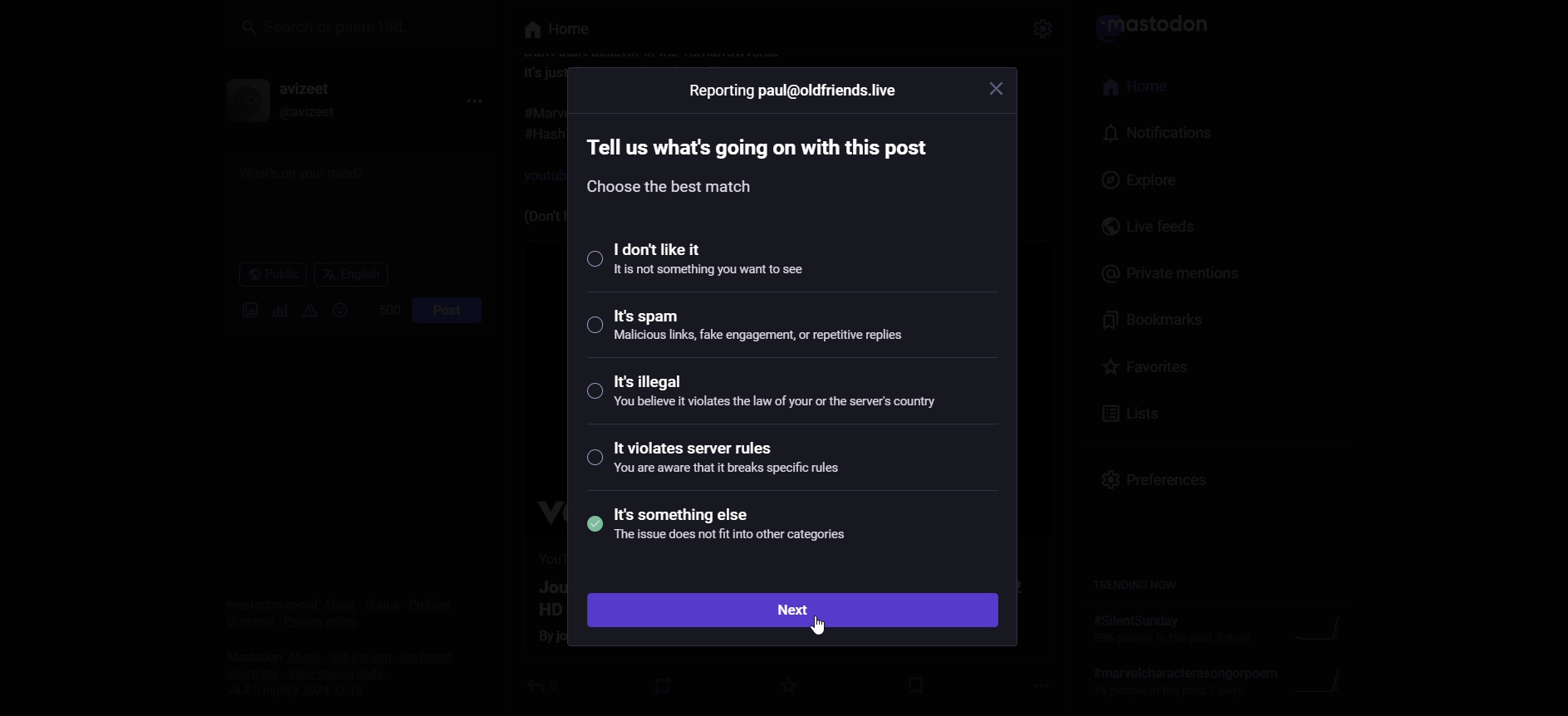 Image resolution: width=1568 pixels, height=716 pixels. What do you see at coordinates (822, 625) in the screenshot?
I see `cursor` at bounding box center [822, 625].